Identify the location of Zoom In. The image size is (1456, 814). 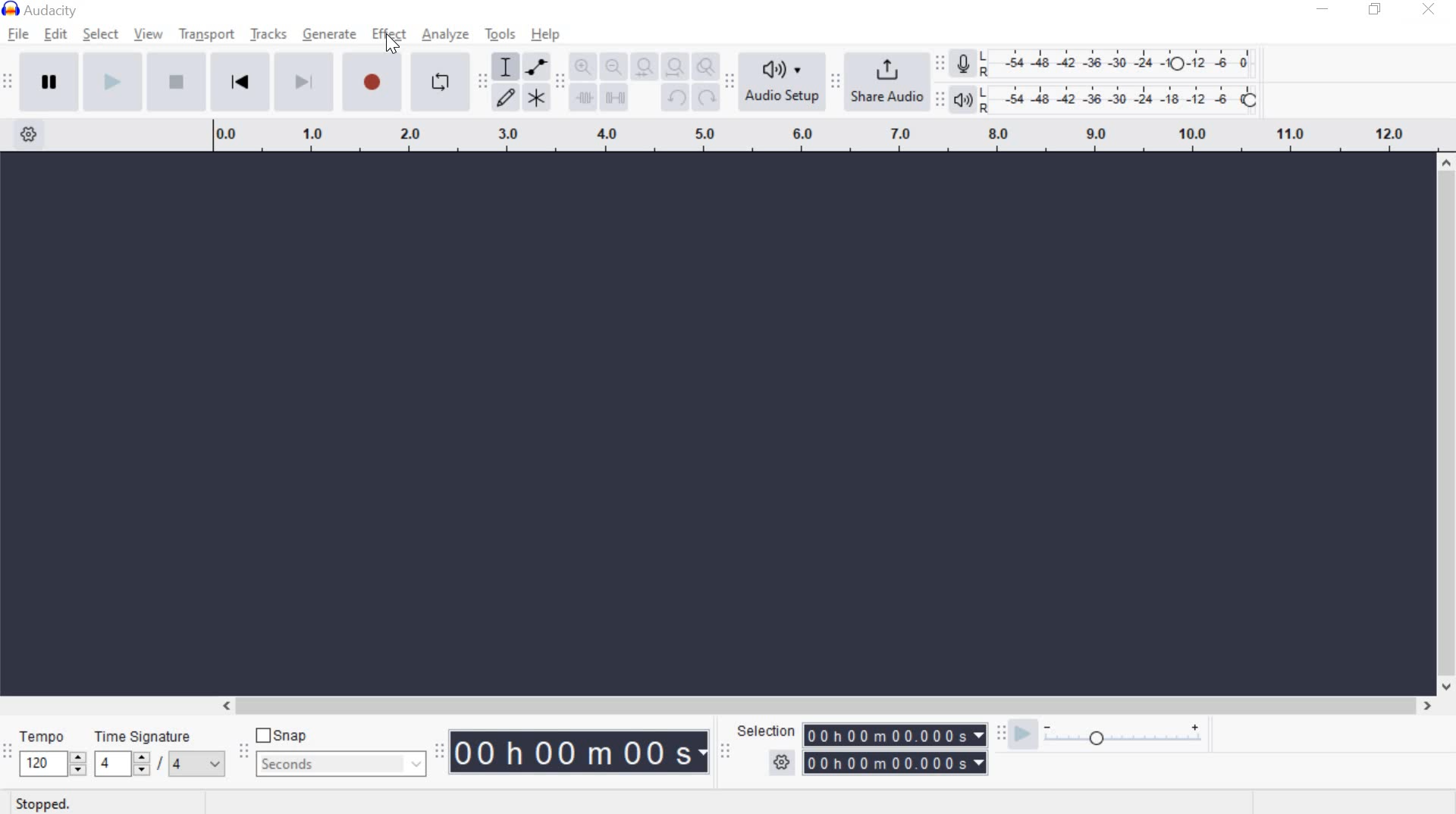
(583, 67).